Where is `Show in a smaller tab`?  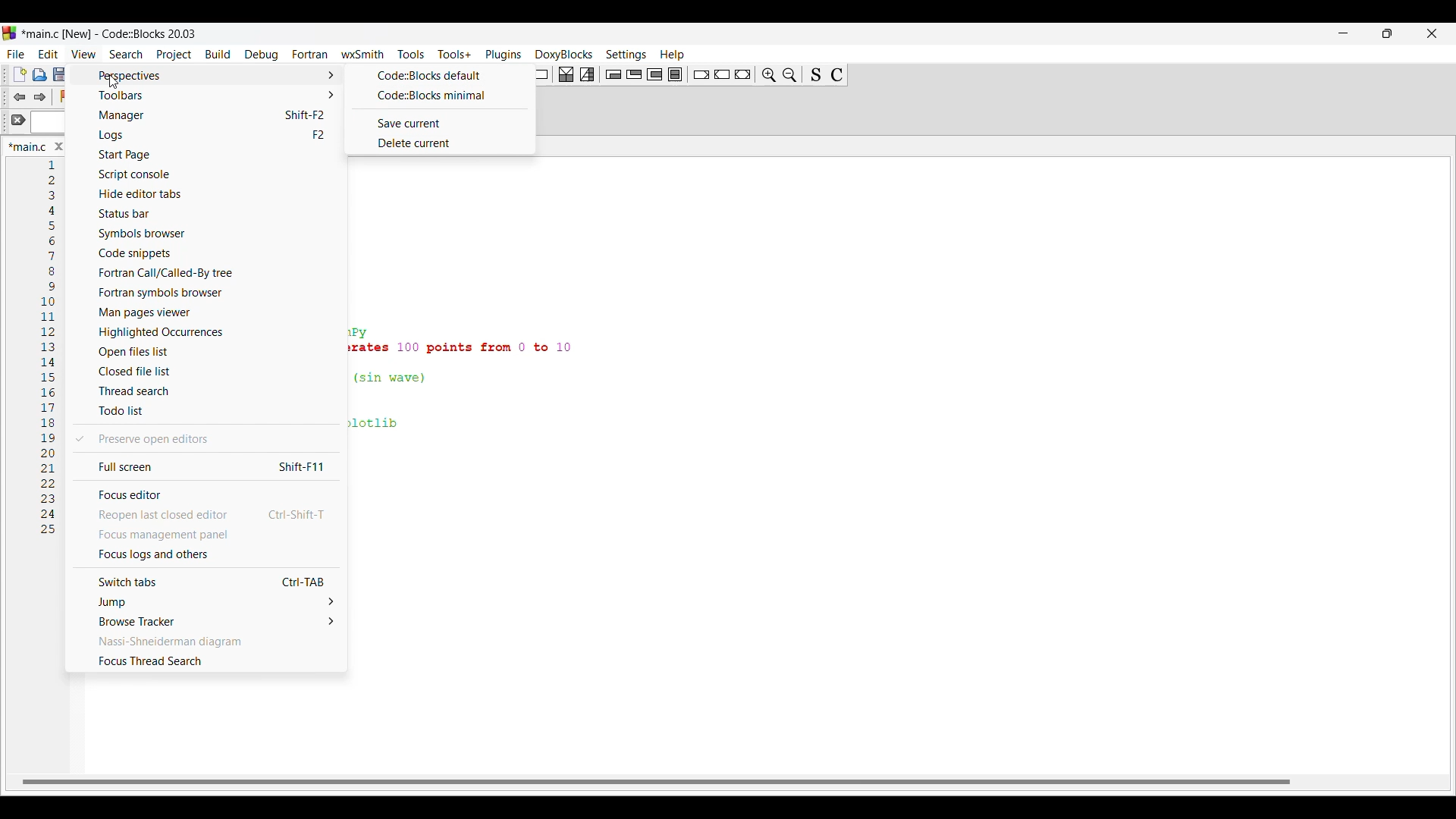
Show in a smaller tab is located at coordinates (1388, 33).